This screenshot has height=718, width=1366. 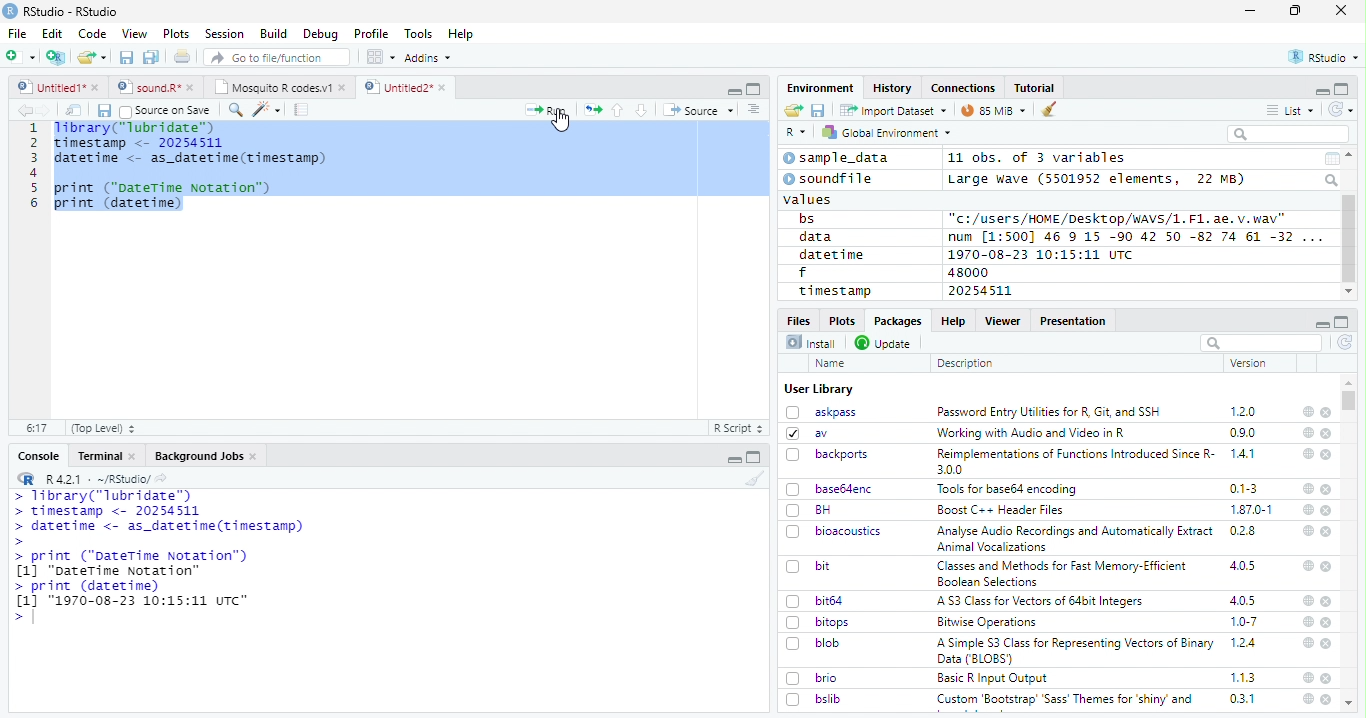 I want to click on Analyse Audio Recordings and Automatically ExtractAnimal Vocalizations, so click(x=1071, y=538).